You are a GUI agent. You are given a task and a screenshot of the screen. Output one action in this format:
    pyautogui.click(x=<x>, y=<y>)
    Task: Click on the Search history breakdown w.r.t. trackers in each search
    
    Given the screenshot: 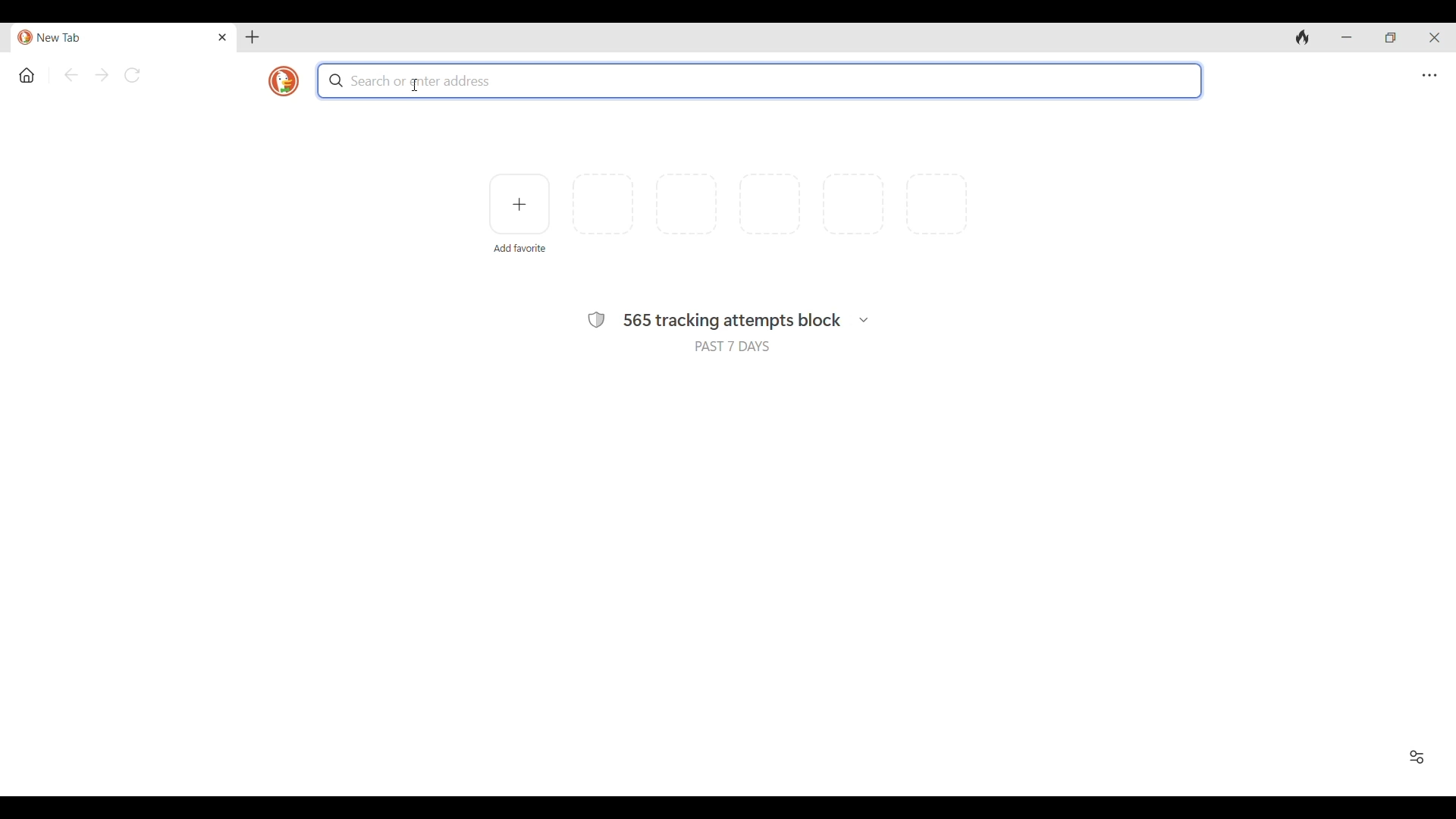 What is the action you would take?
    pyautogui.click(x=864, y=320)
    